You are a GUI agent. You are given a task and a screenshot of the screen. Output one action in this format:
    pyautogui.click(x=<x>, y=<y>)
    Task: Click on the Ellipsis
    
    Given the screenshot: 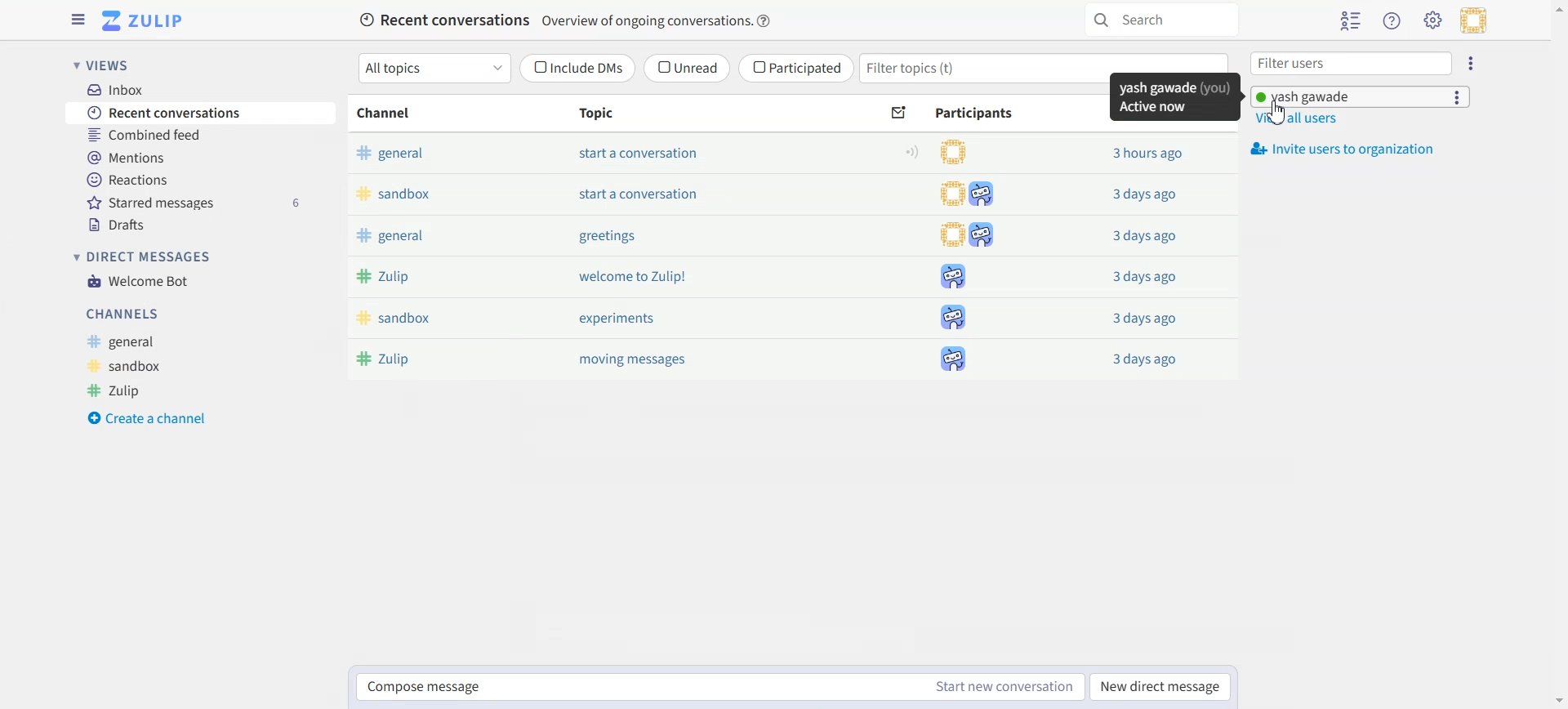 What is the action you would take?
    pyautogui.click(x=1457, y=98)
    